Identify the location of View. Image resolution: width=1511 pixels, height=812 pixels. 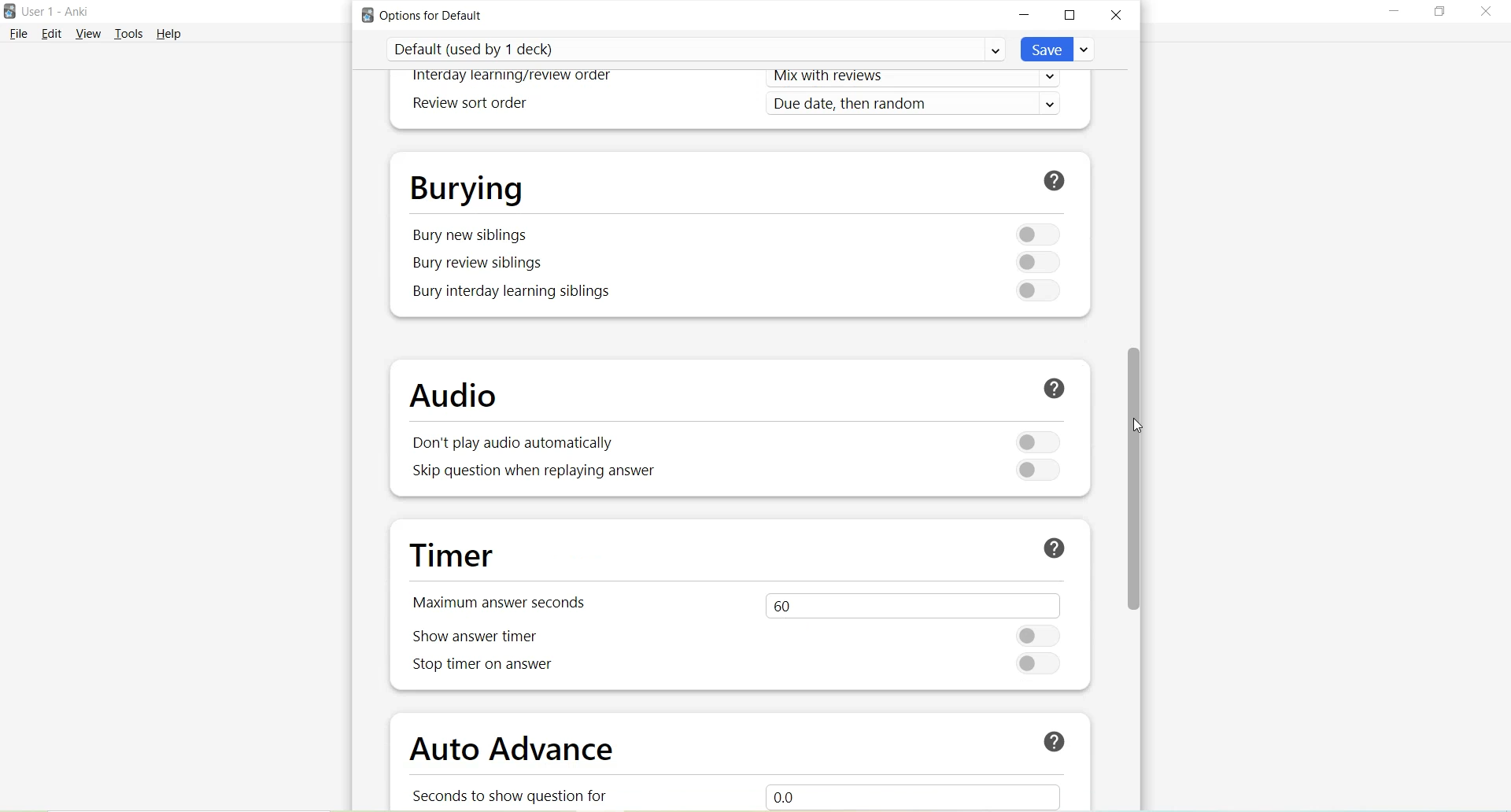
(91, 33).